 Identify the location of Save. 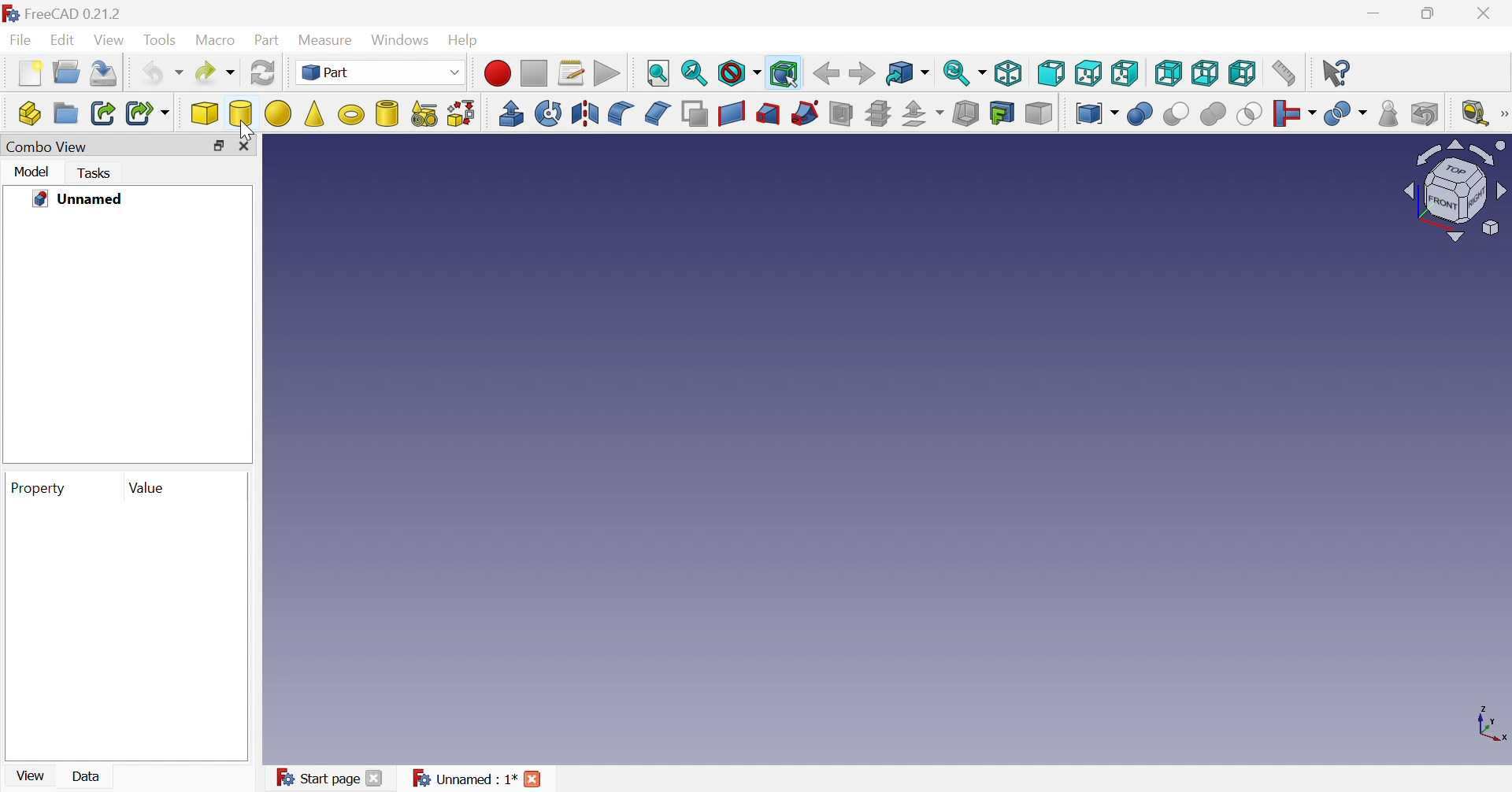
(106, 73).